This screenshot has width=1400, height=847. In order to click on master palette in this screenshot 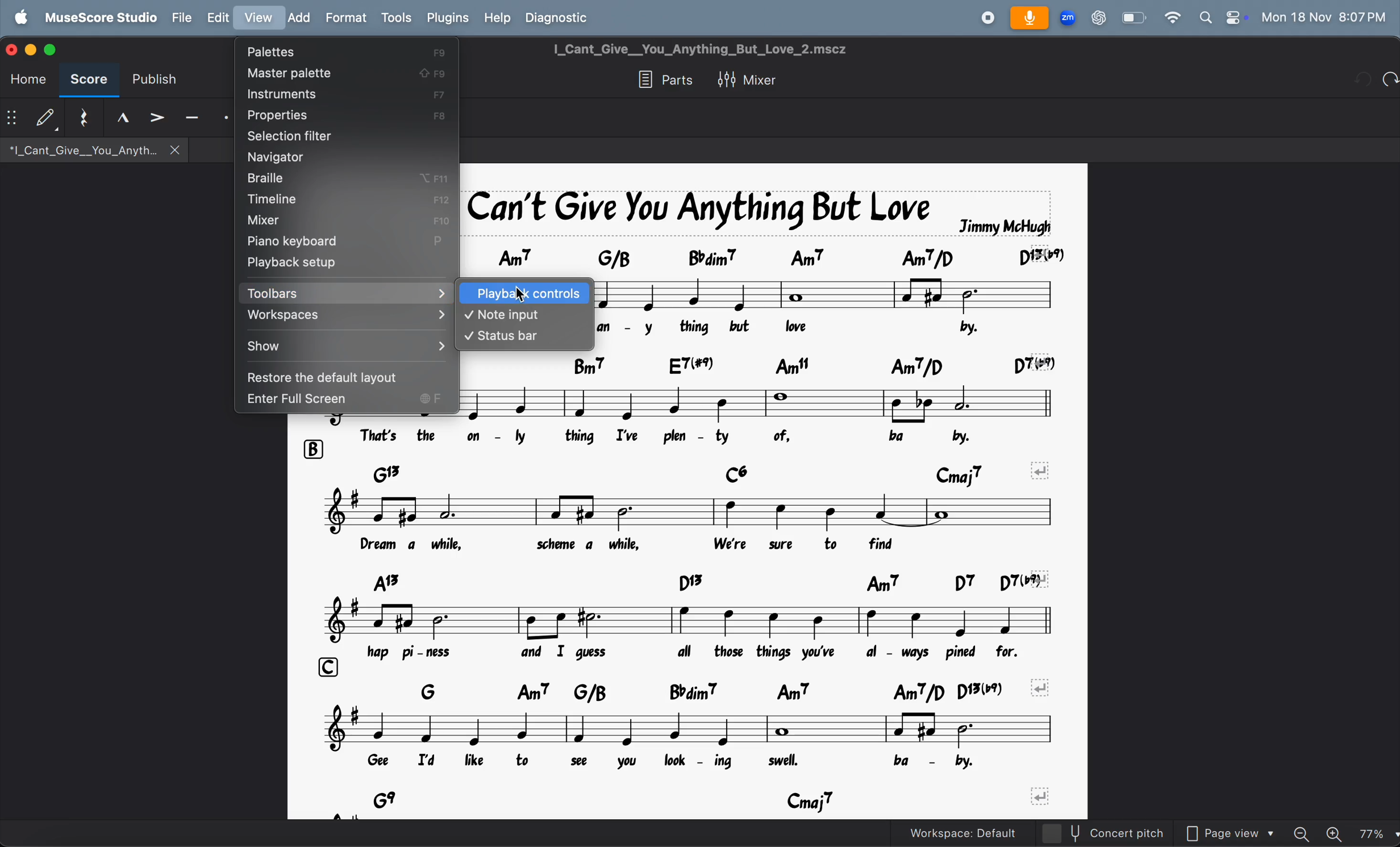, I will do `click(348, 74)`.